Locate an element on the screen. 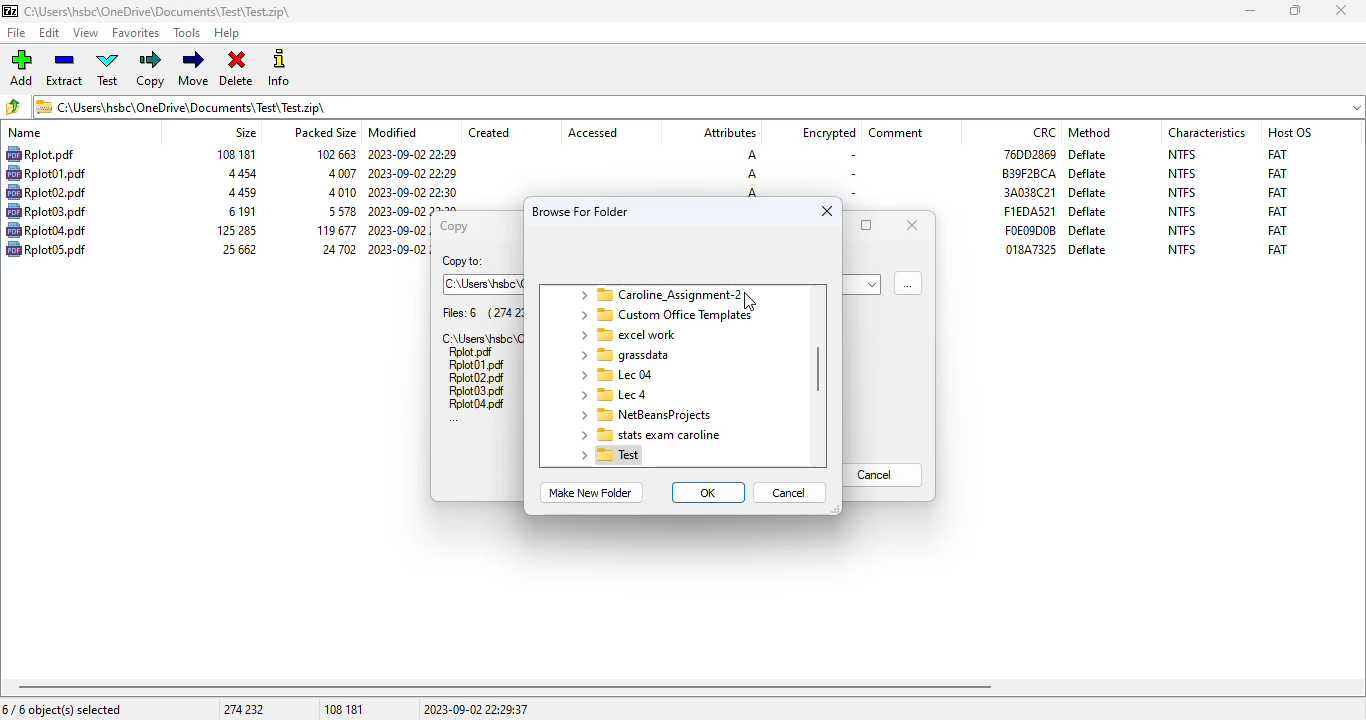  maximize is located at coordinates (867, 225).